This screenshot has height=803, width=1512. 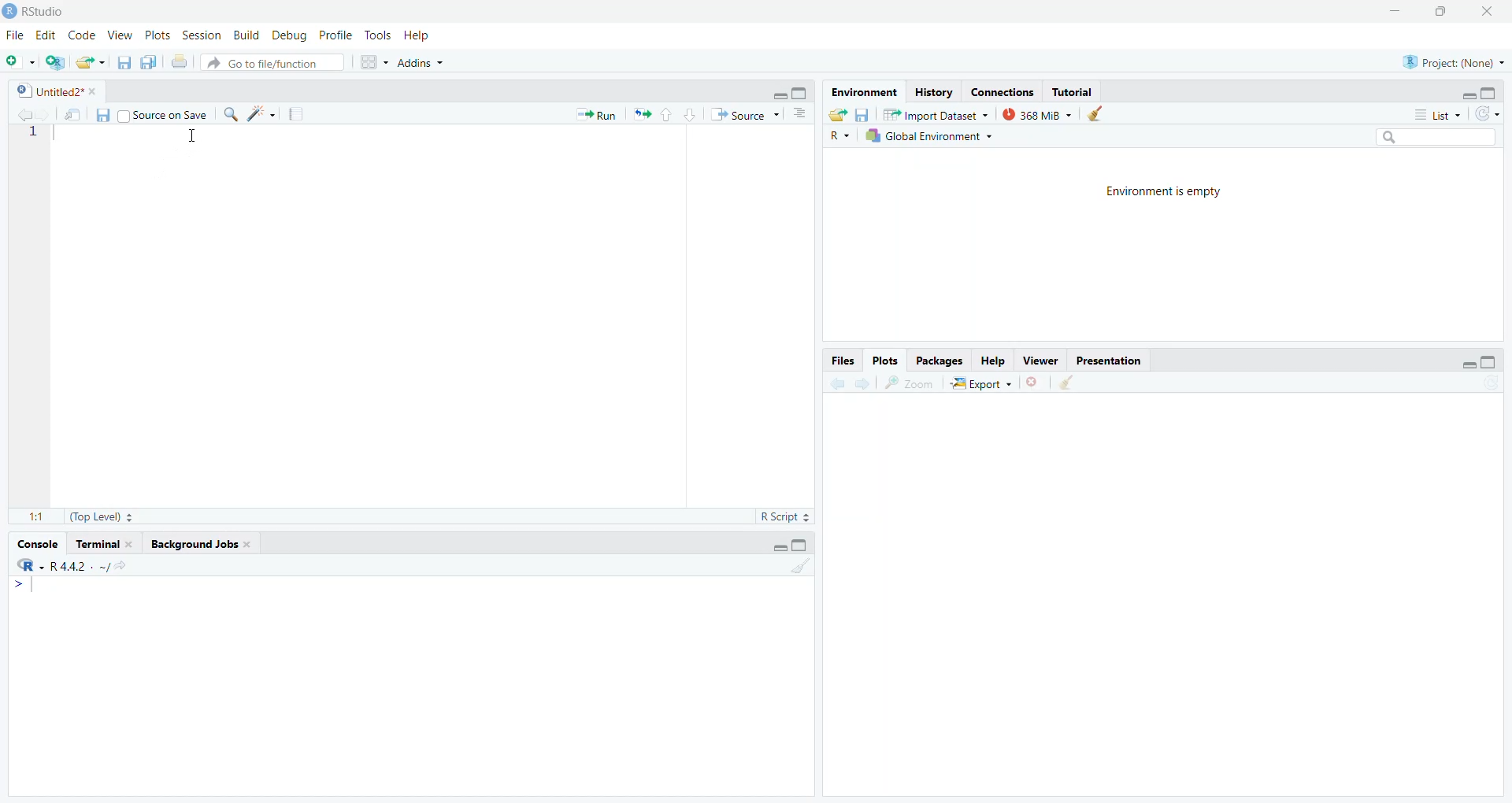 What do you see at coordinates (38, 12) in the screenshot?
I see `RStudio` at bounding box center [38, 12].